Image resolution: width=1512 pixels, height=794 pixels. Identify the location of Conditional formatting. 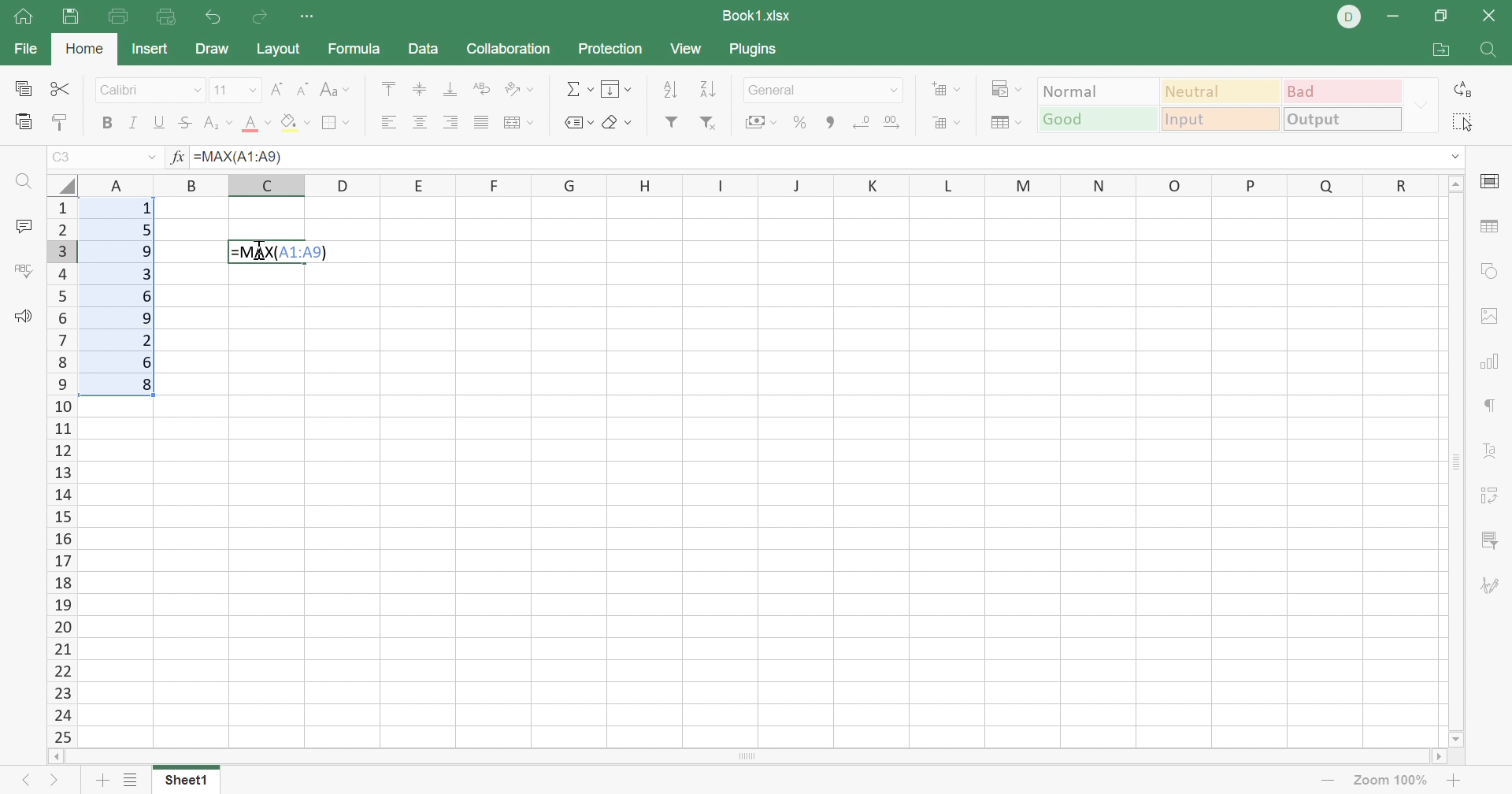
(1008, 88).